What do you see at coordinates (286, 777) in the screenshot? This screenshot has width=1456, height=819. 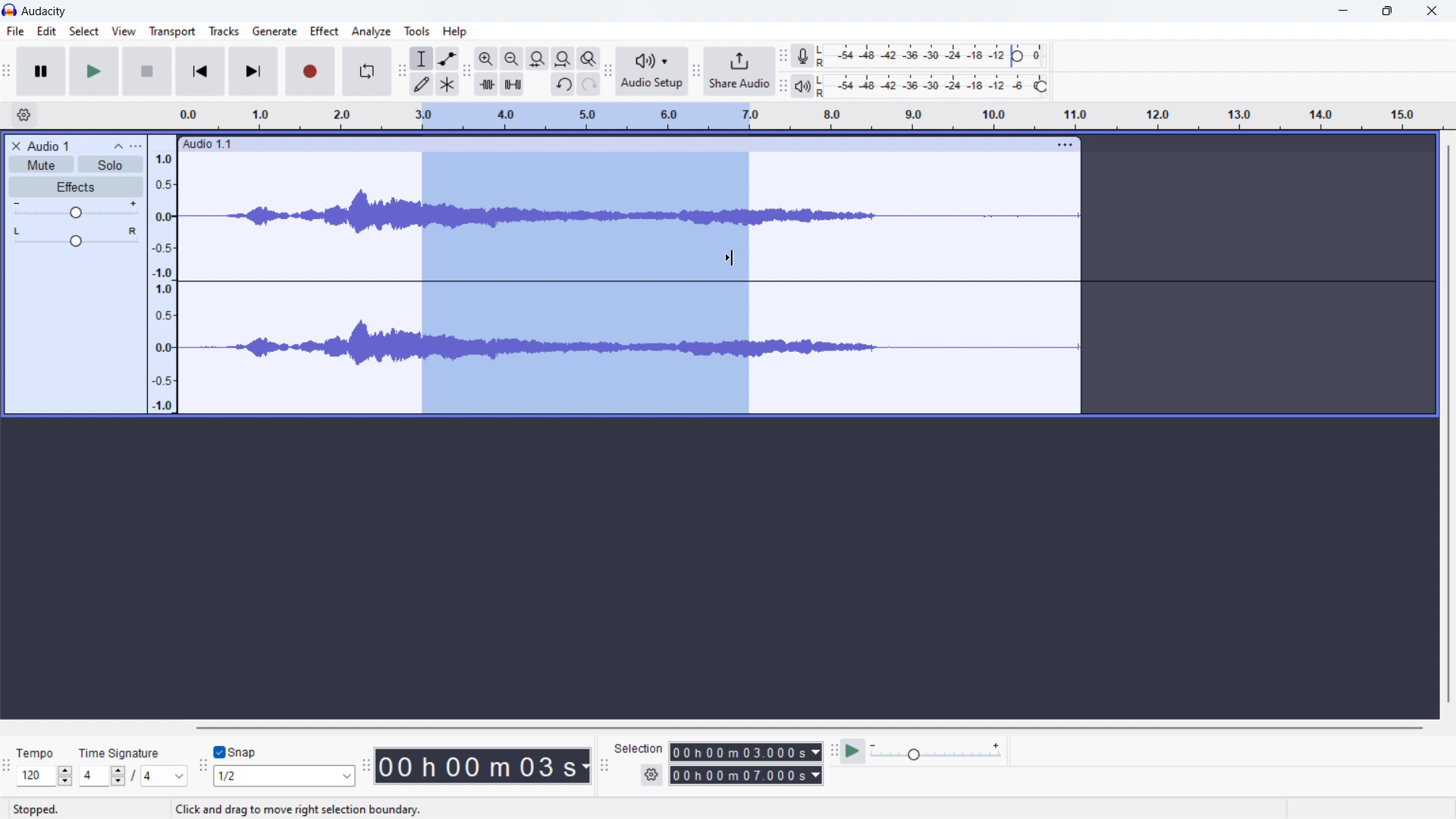 I see `1/2` at bounding box center [286, 777].